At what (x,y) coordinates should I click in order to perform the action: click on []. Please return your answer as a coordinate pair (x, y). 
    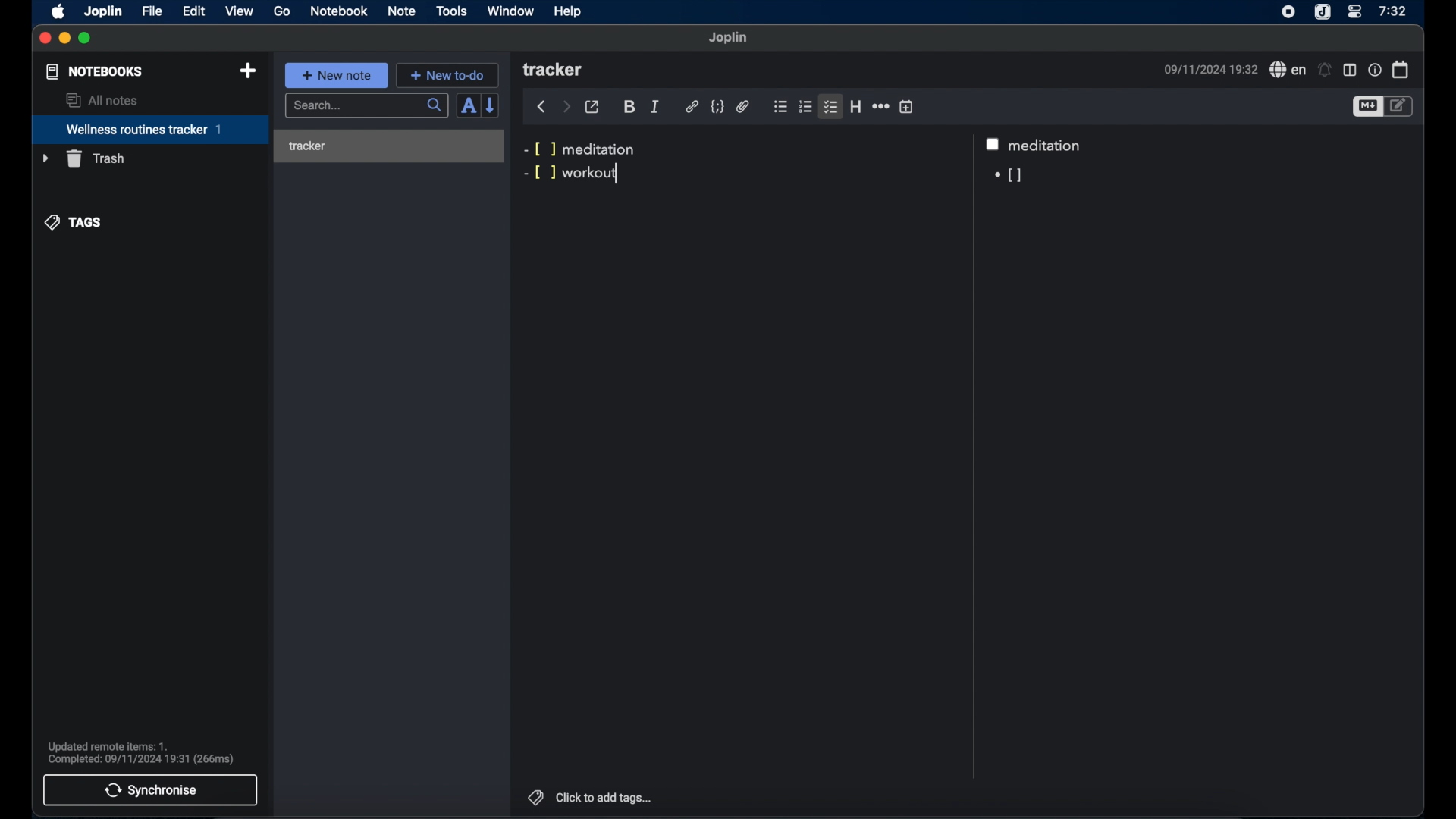
    Looking at the image, I should click on (1009, 174).